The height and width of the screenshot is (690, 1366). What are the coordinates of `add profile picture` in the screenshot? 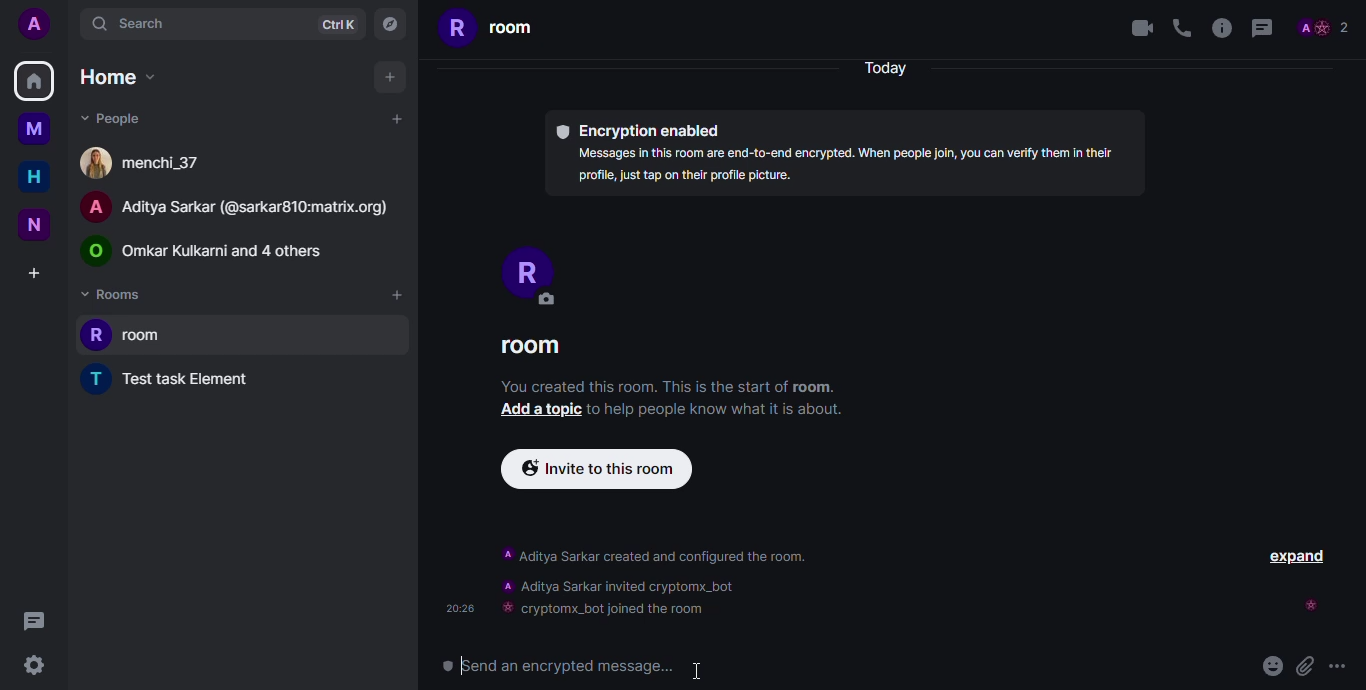 It's located at (33, 23).